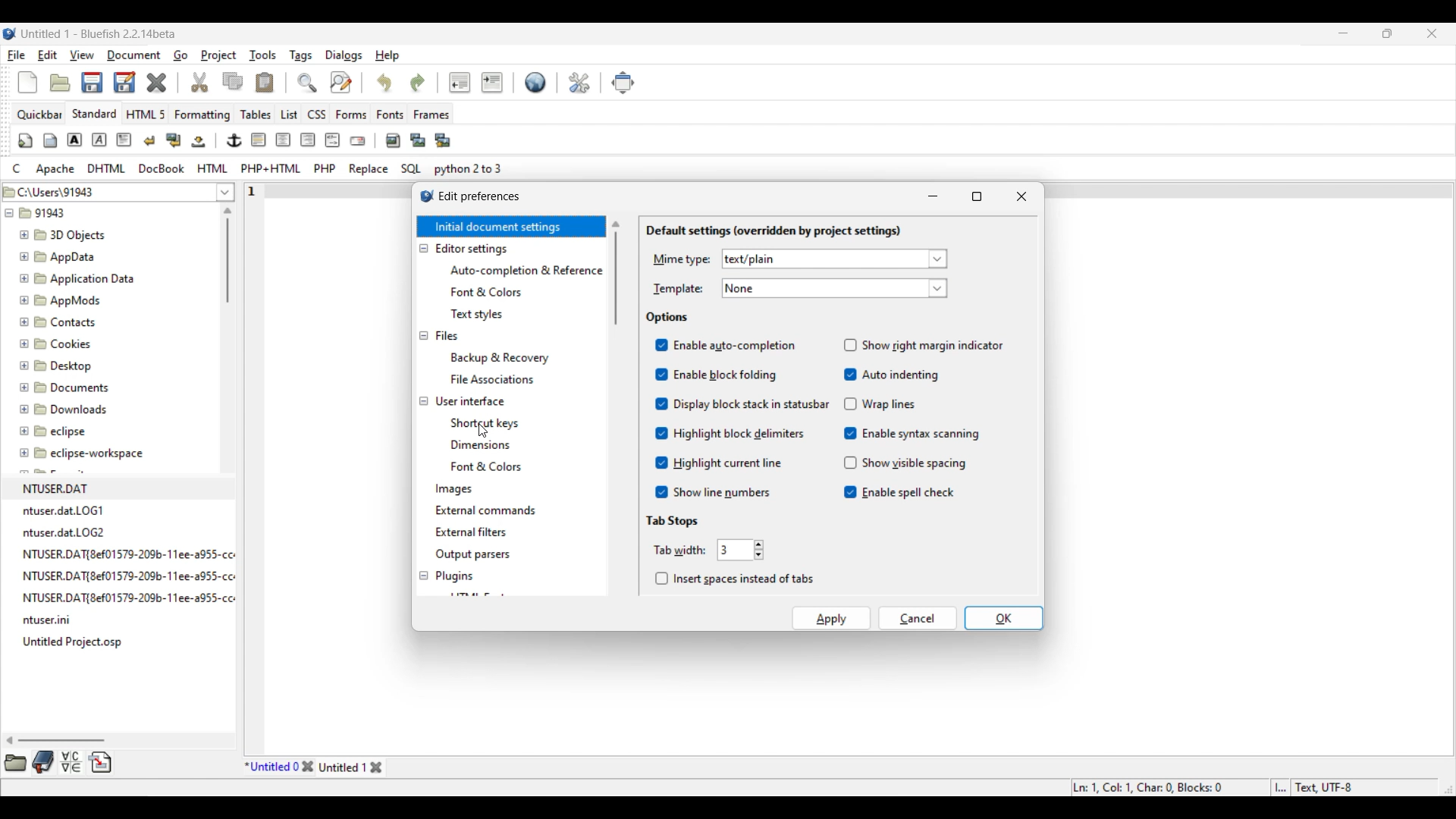  Describe the element at coordinates (925, 344) in the screenshot. I see `(J Show right margin indicator` at that location.